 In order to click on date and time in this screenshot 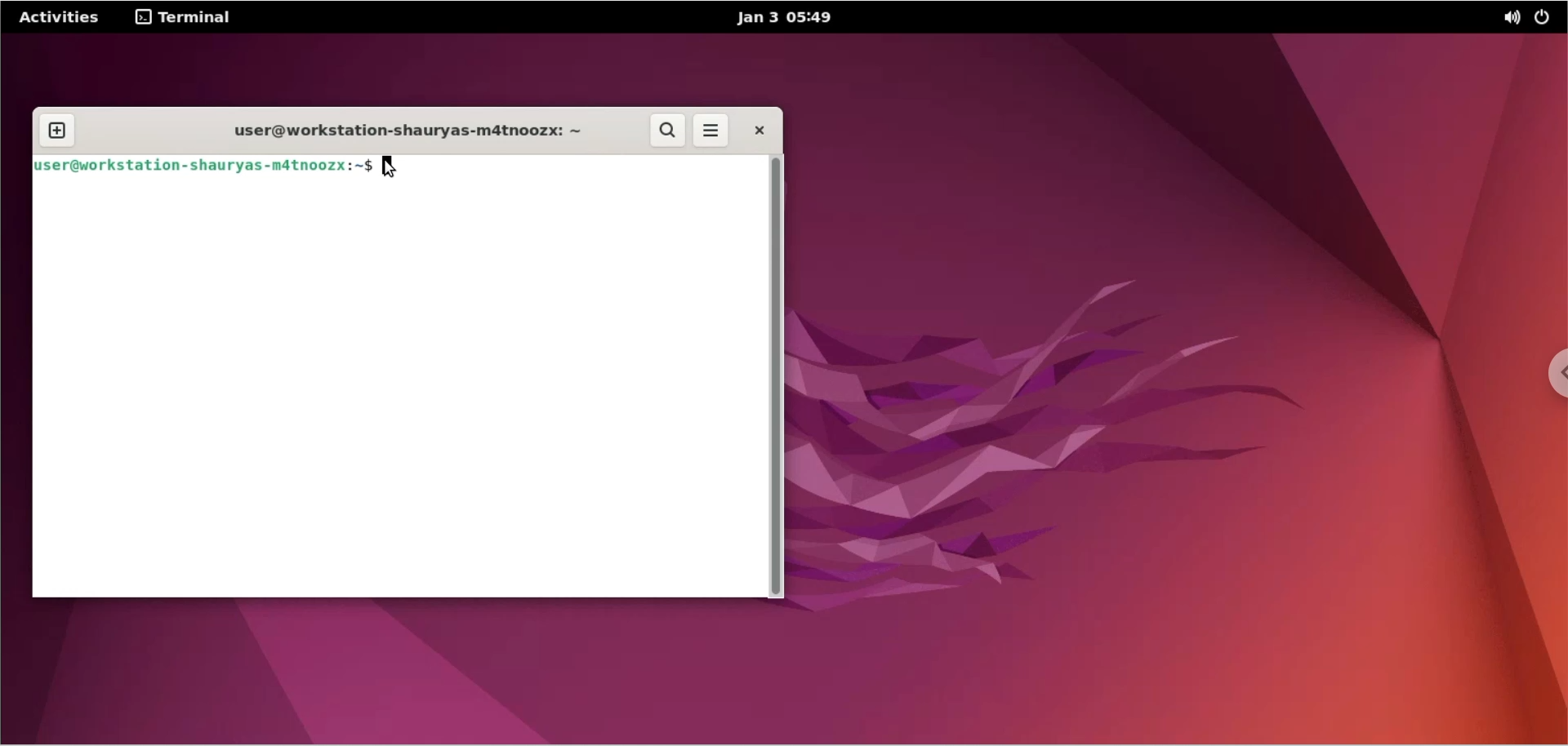, I will do `click(778, 18)`.